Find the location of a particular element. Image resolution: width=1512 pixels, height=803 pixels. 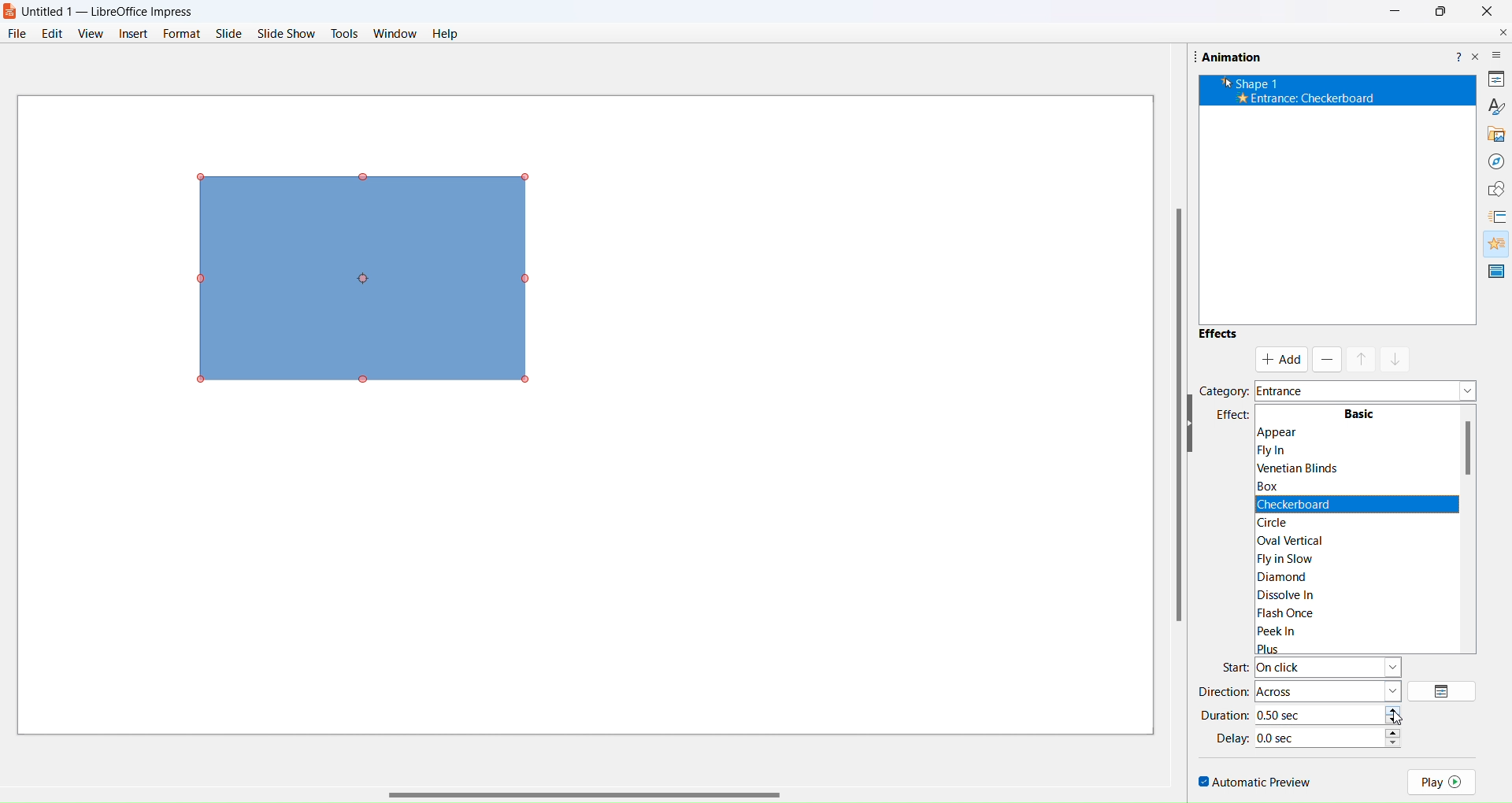

help is located at coordinates (445, 35).